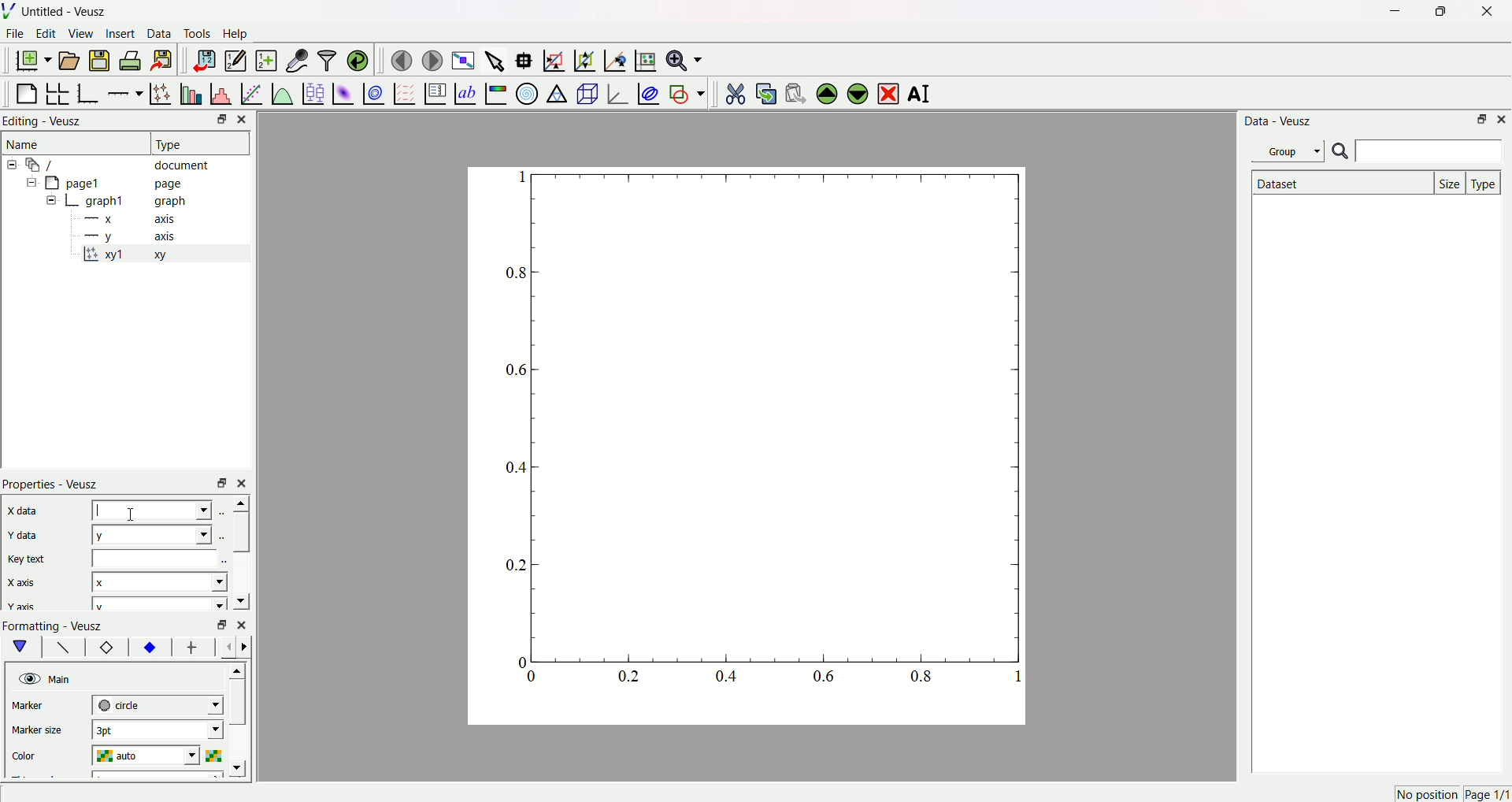  What do you see at coordinates (888, 92) in the screenshot?
I see `remove the widgets` at bounding box center [888, 92].